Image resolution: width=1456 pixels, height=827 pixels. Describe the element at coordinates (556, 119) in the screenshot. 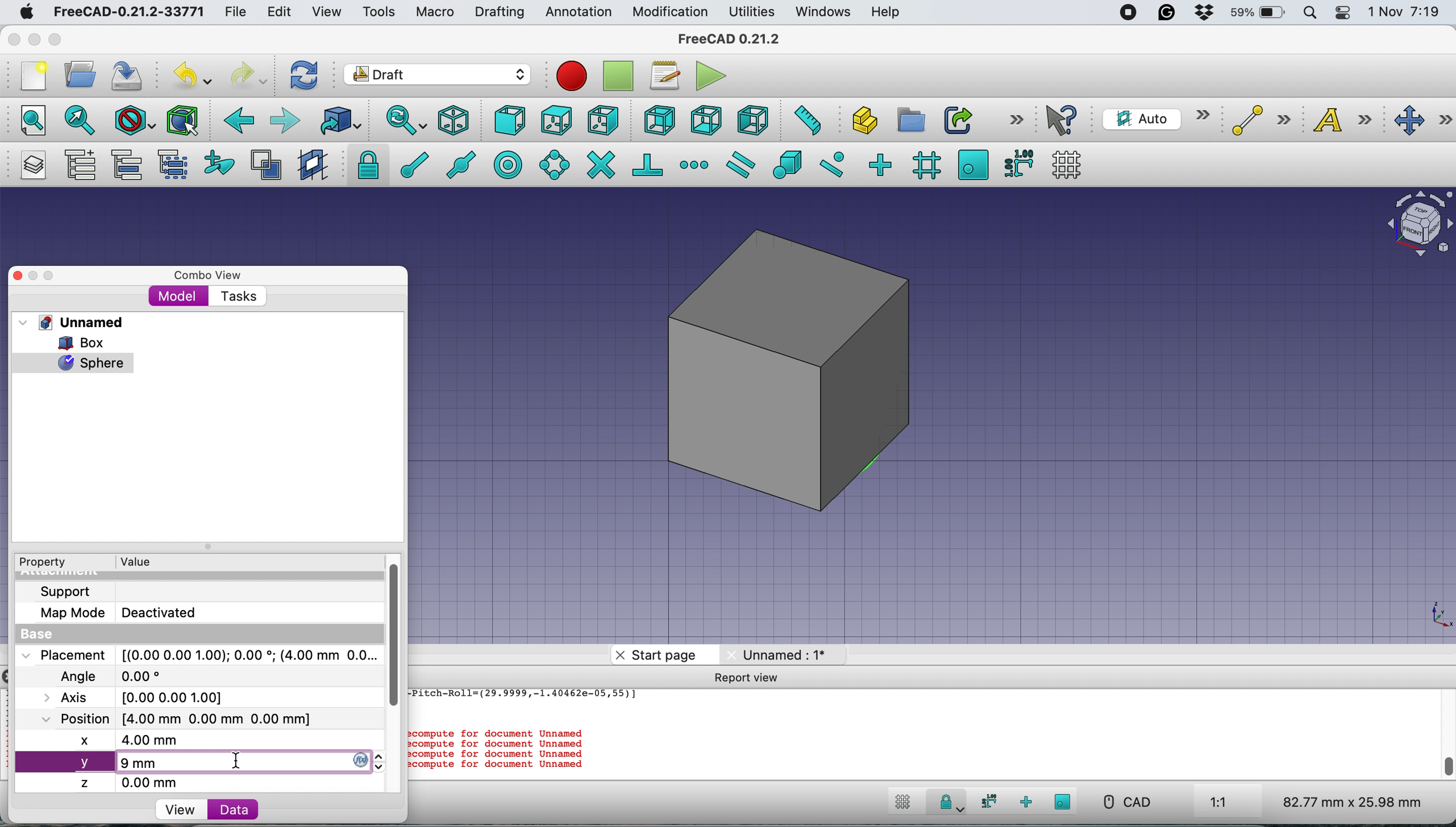

I see `top` at that location.